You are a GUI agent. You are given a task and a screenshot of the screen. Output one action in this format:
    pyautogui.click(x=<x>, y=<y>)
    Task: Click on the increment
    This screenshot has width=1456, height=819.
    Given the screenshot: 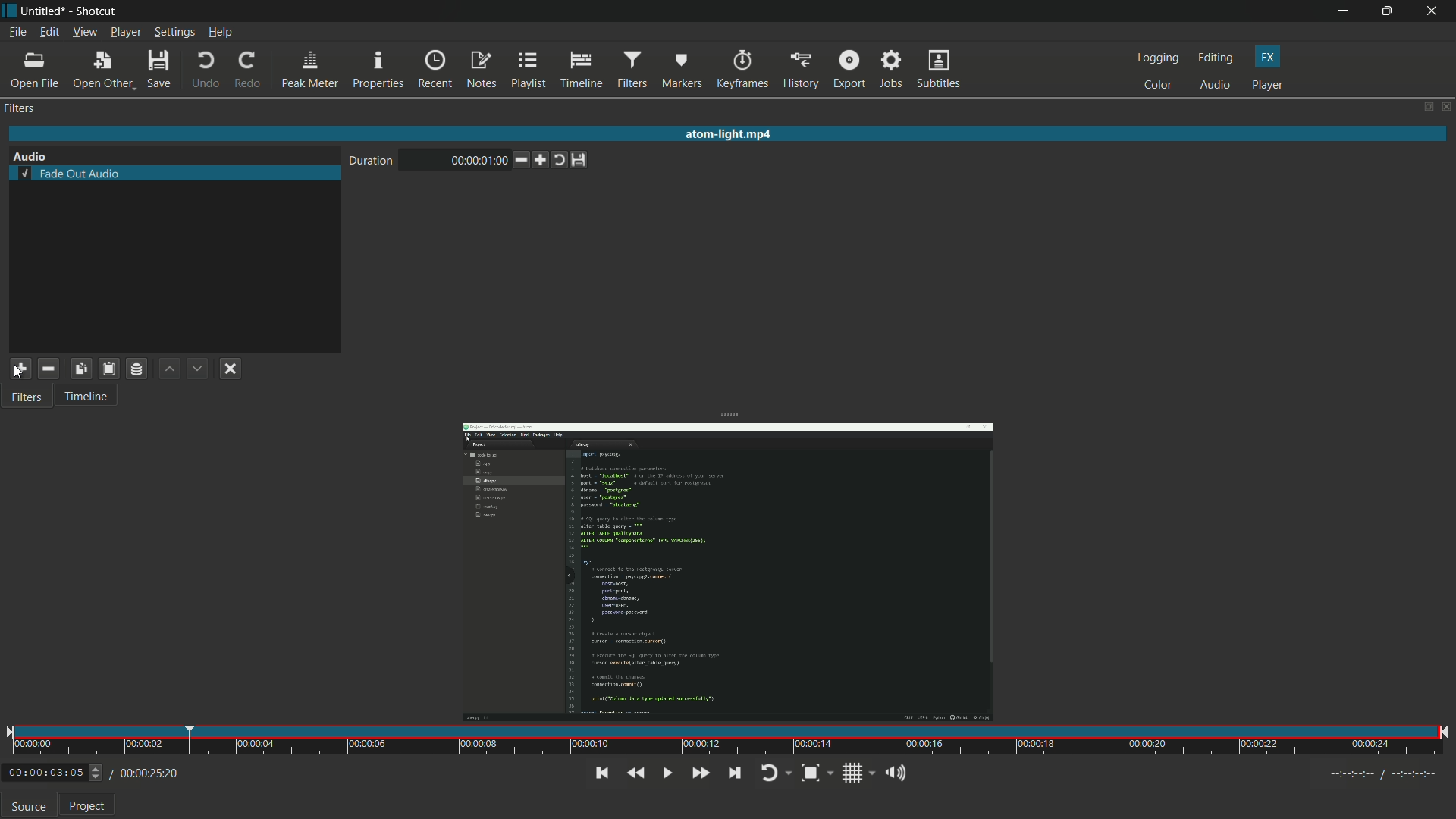 What is the action you would take?
    pyautogui.click(x=543, y=160)
    